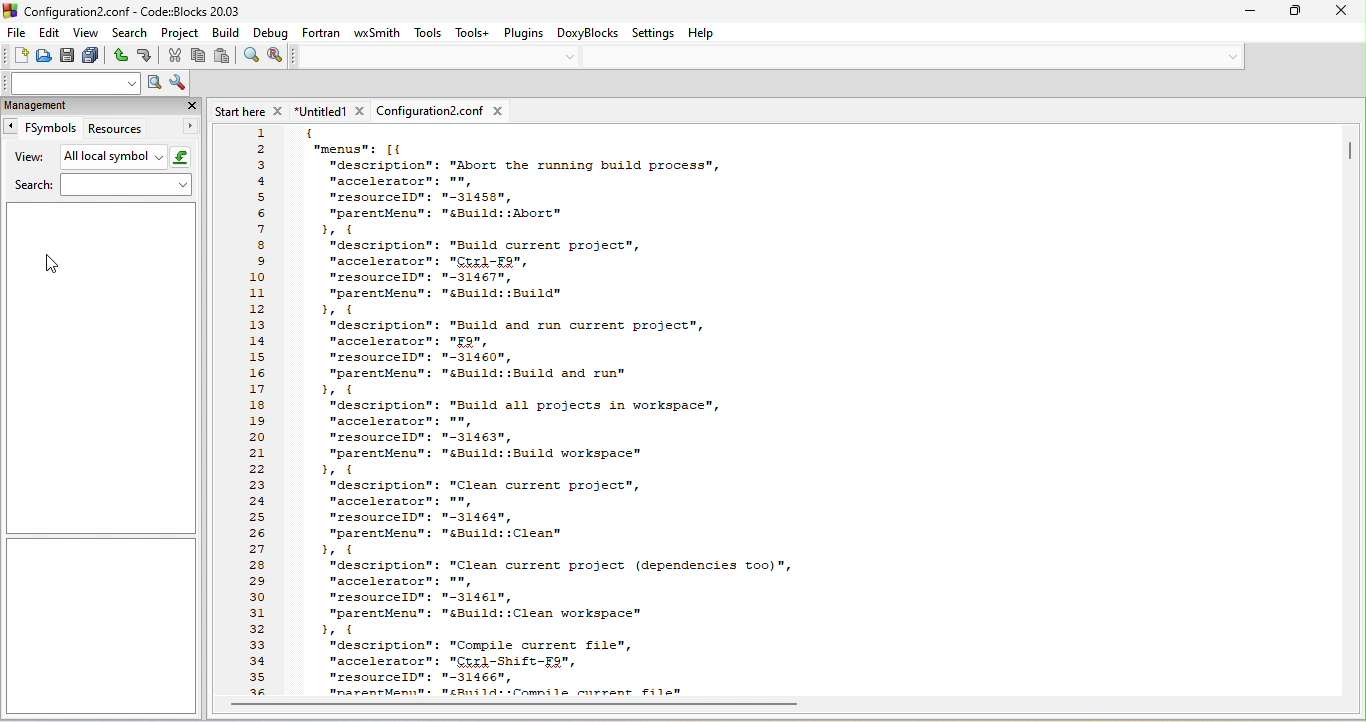  I want to click on logo, so click(10, 11).